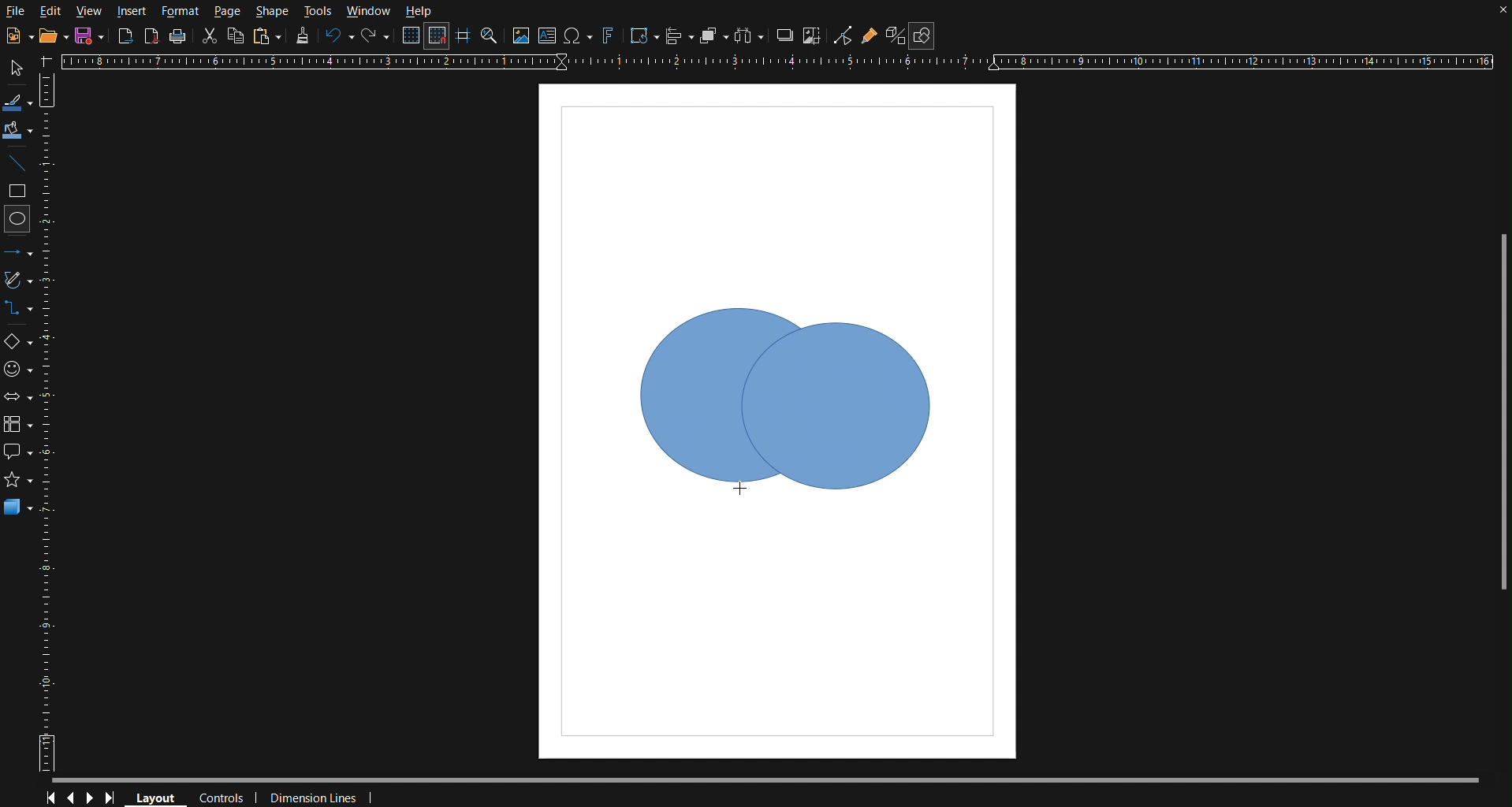  I want to click on Snap to Grid, so click(438, 37).